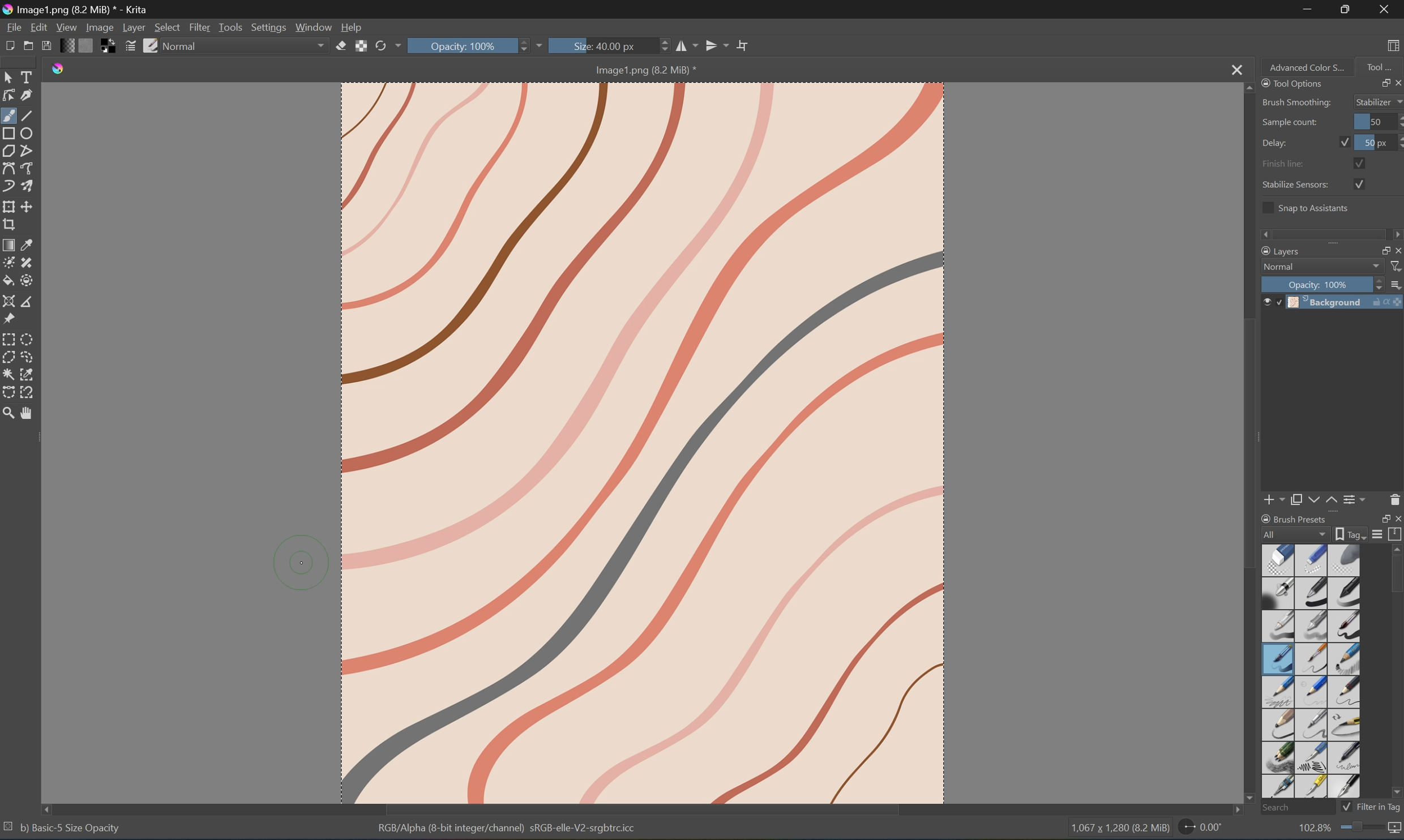  What do you see at coordinates (1326, 233) in the screenshot?
I see `Scroll Bar` at bounding box center [1326, 233].